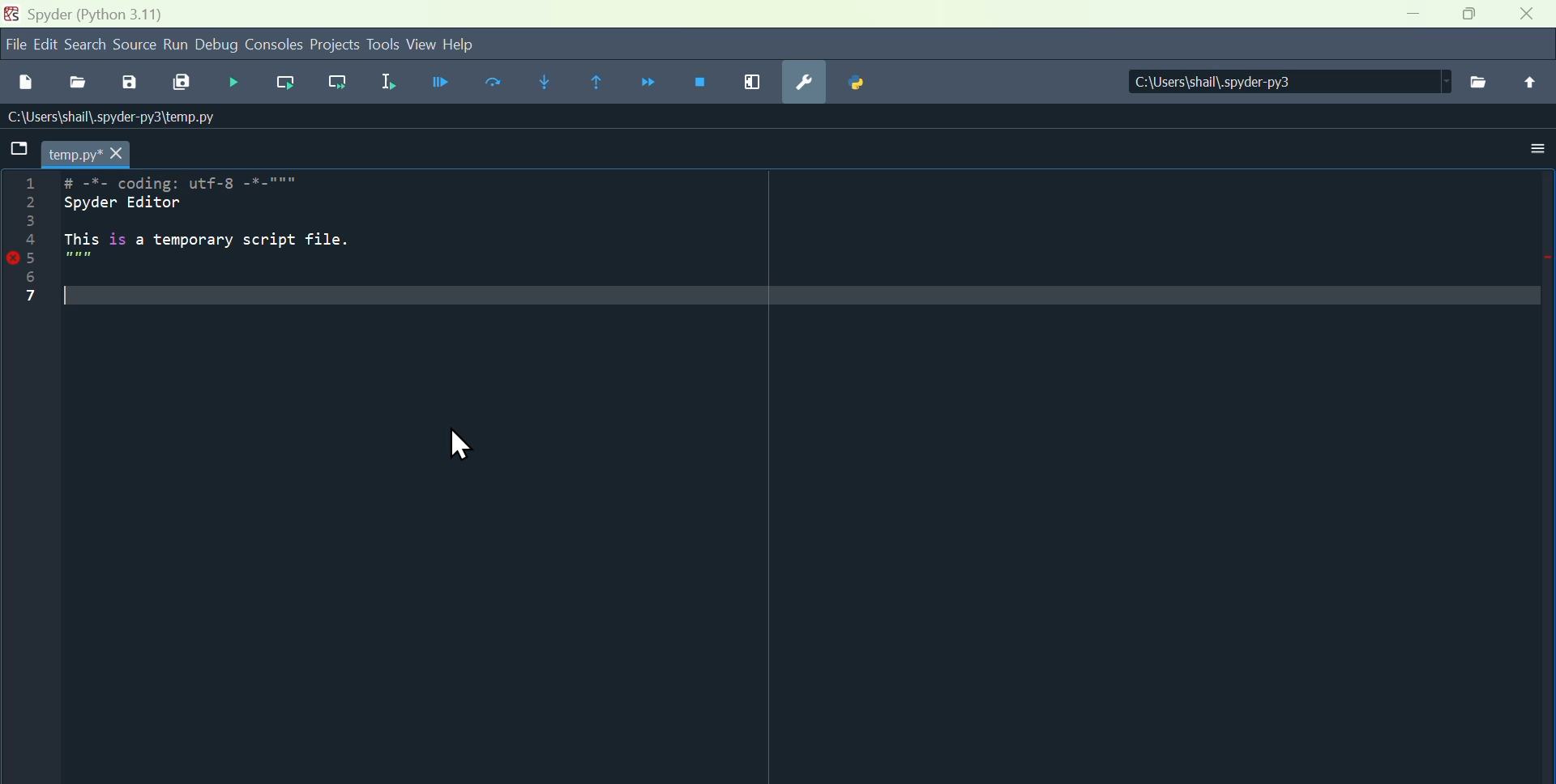  I want to click on C:\Users\shail\.spyder-py3 M, so click(1283, 80).